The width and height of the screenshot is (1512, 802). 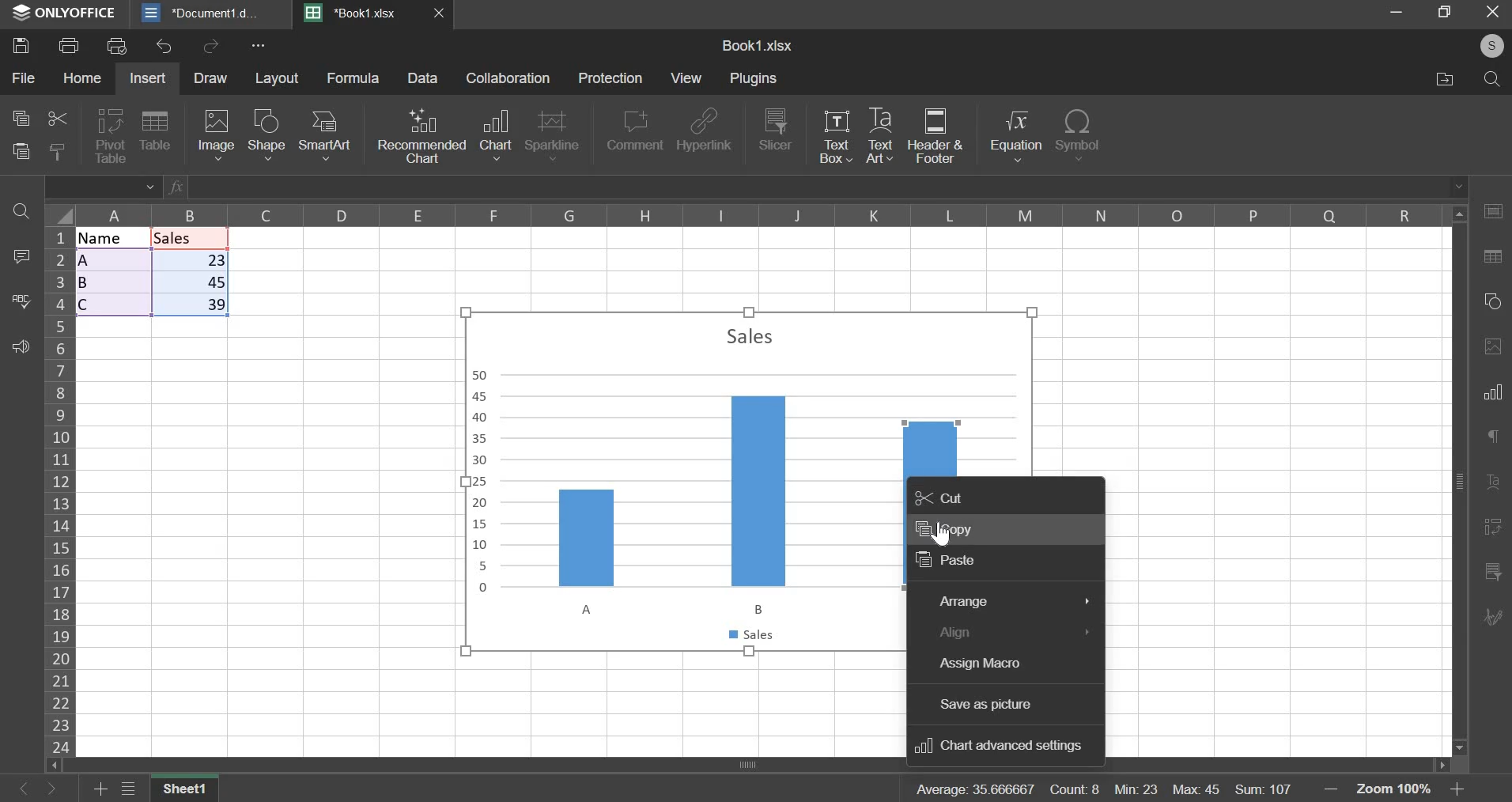 I want to click on Vertical scroll bar, so click(x=1461, y=477).